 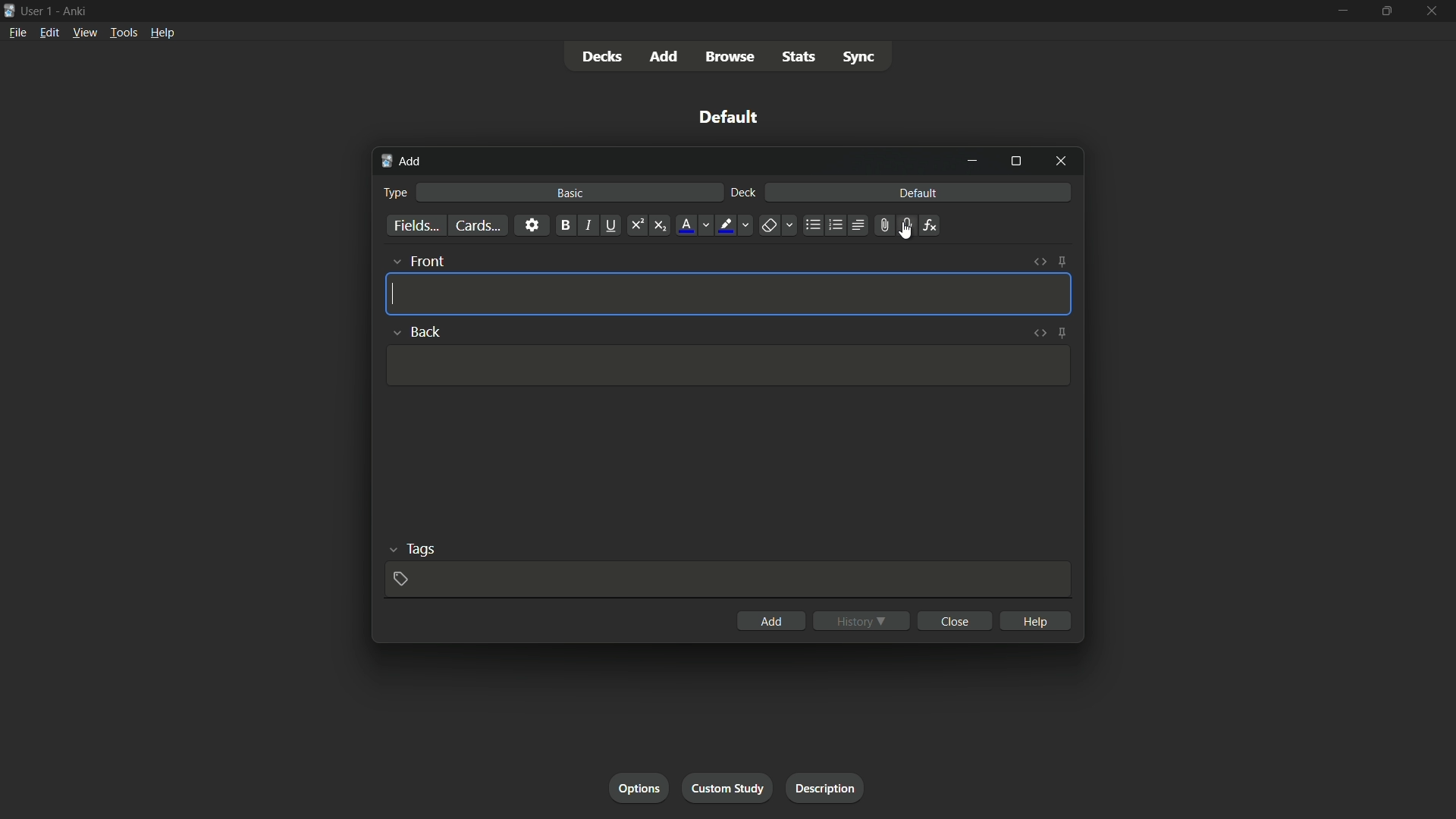 I want to click on unordered list, so click(x=812, y=225).